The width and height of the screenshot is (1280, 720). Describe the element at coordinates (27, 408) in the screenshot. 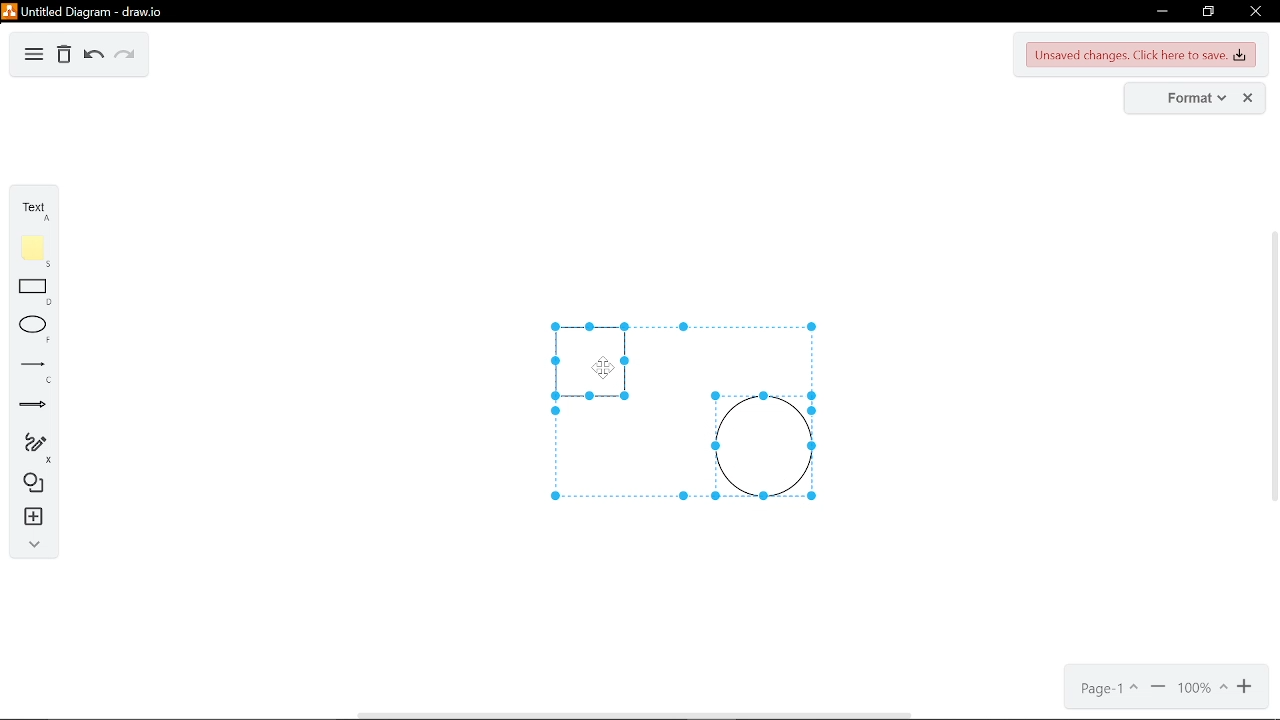

I see `arrow` at that location.